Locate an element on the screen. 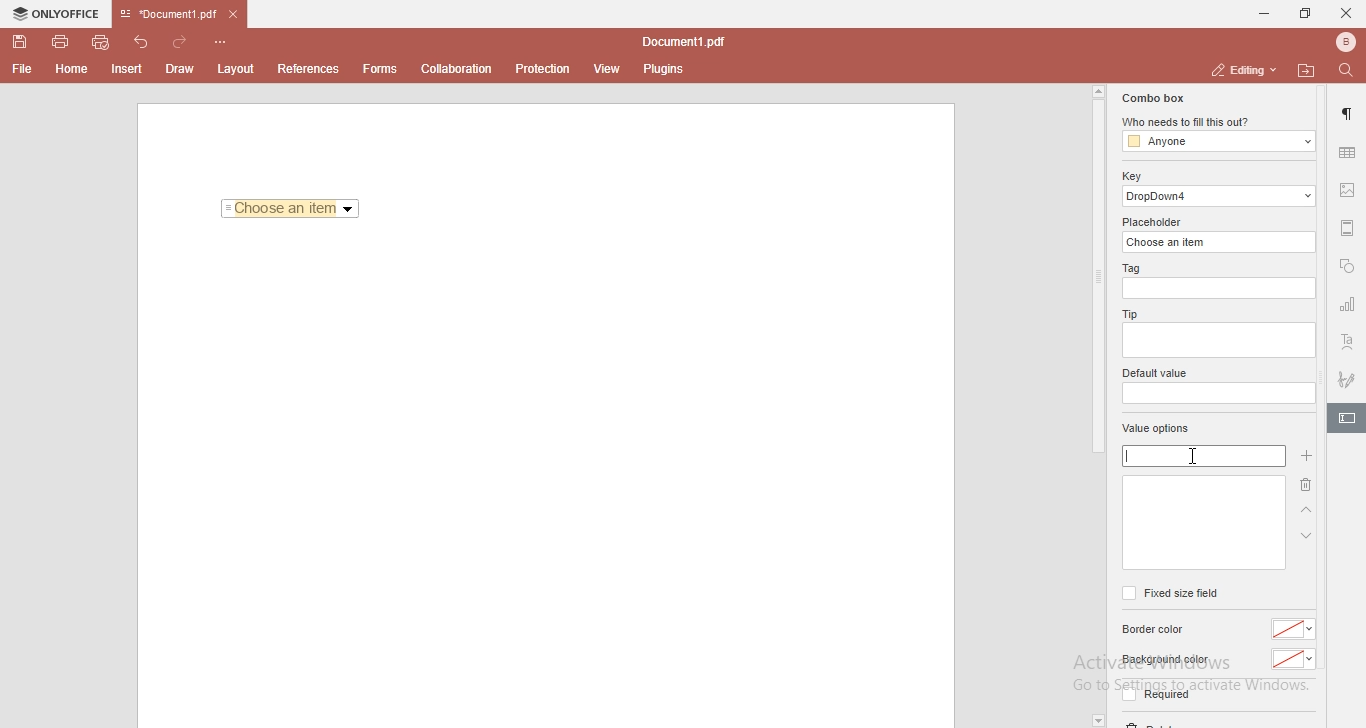  empty box is located at coordinates (1202, 523).